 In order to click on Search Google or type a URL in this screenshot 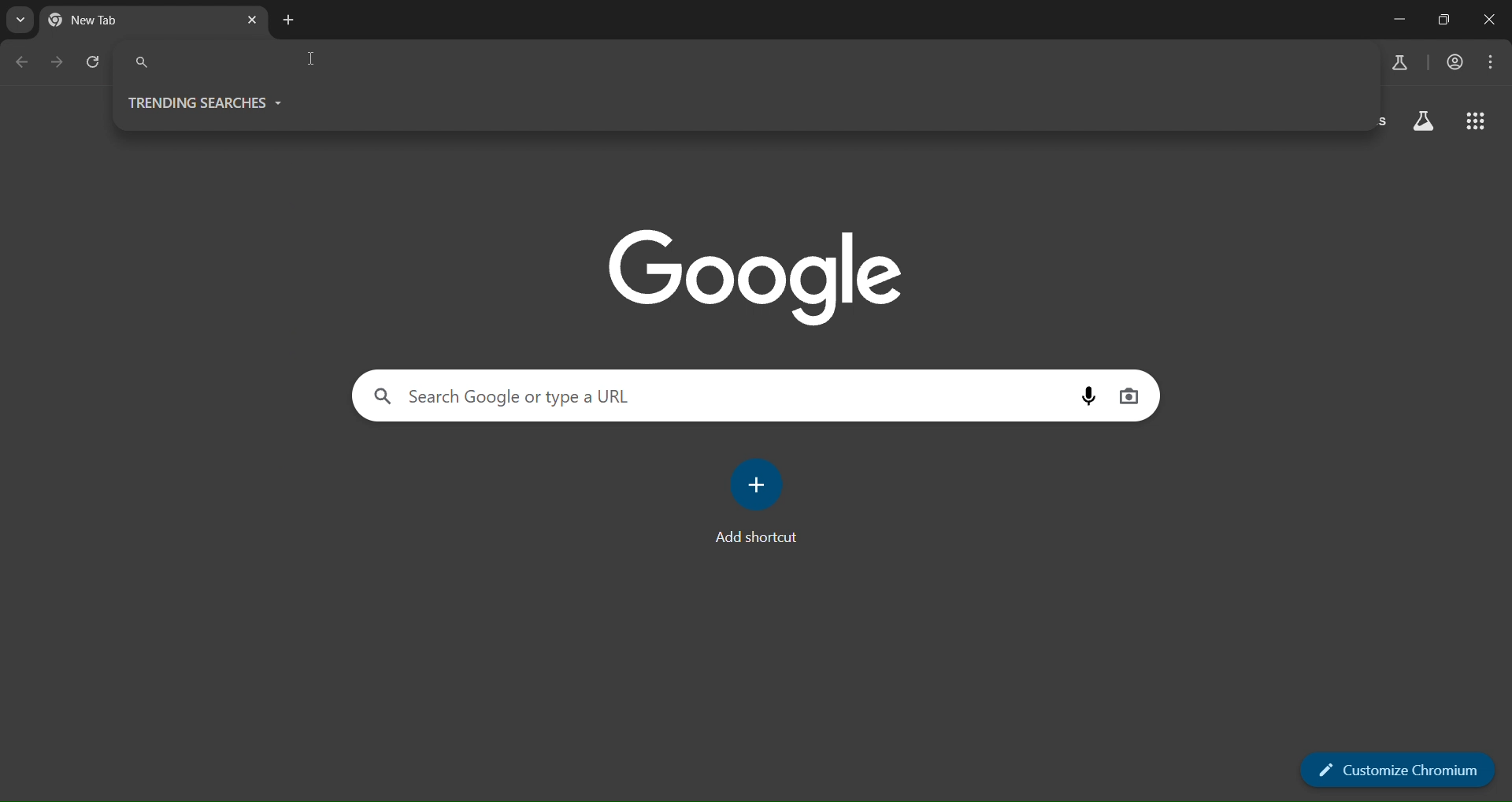, I will do `click(506, 397)`.